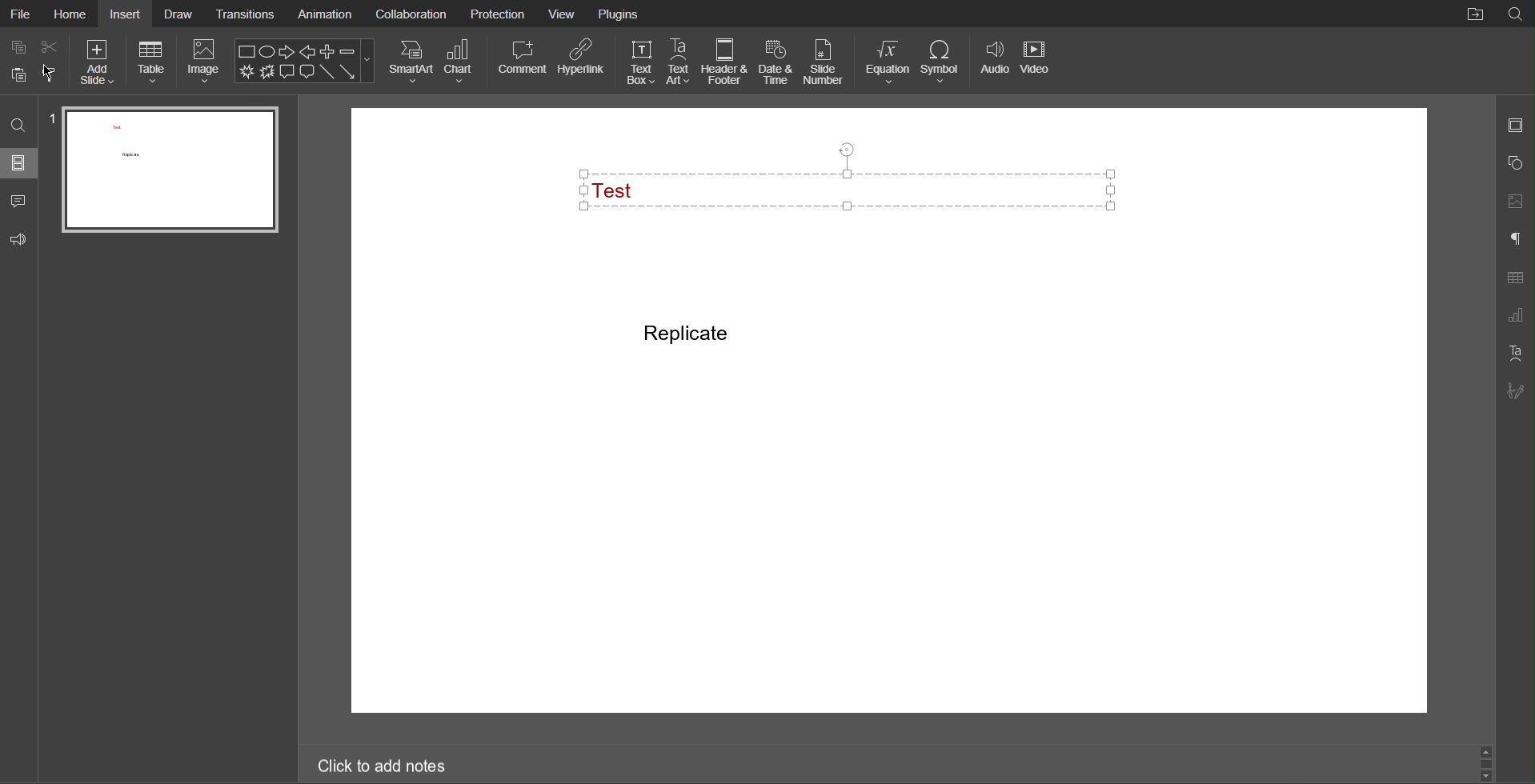 This screenshot has width=1535, height=784. Describe the element at coordinates (1516, 161) in the screenshot. I see `Shapes` at that location.